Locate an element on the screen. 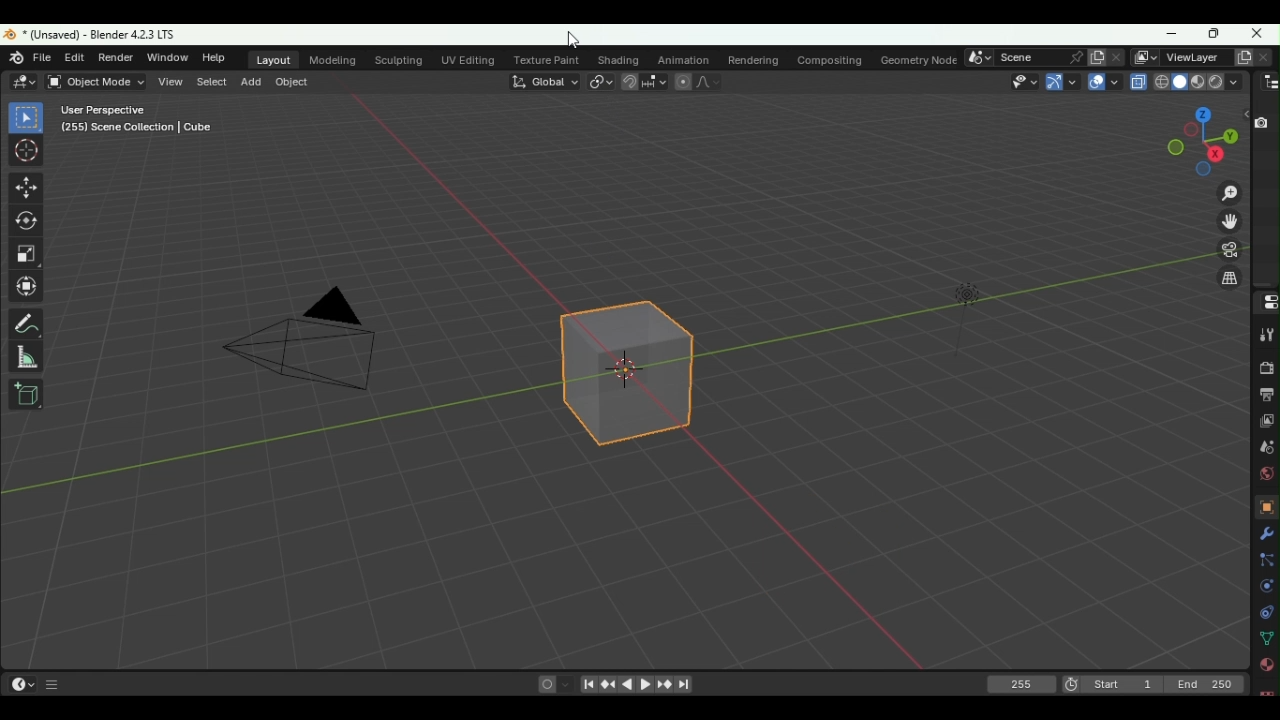 This screenshot has height=720, width=1280. Shading is located at coordinates (1234, 82).